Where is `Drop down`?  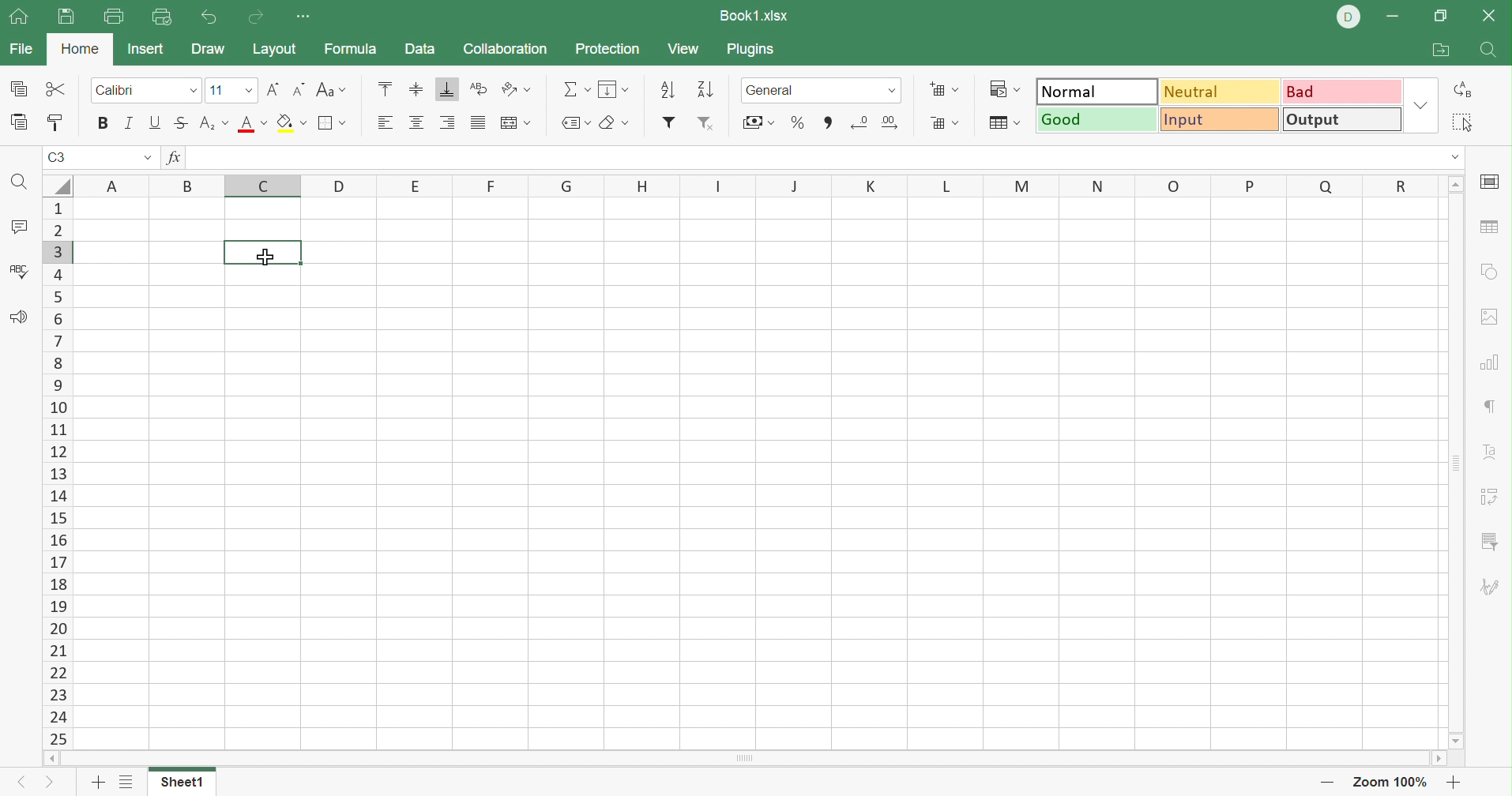
Drop down is located at coordinates (147, 158).